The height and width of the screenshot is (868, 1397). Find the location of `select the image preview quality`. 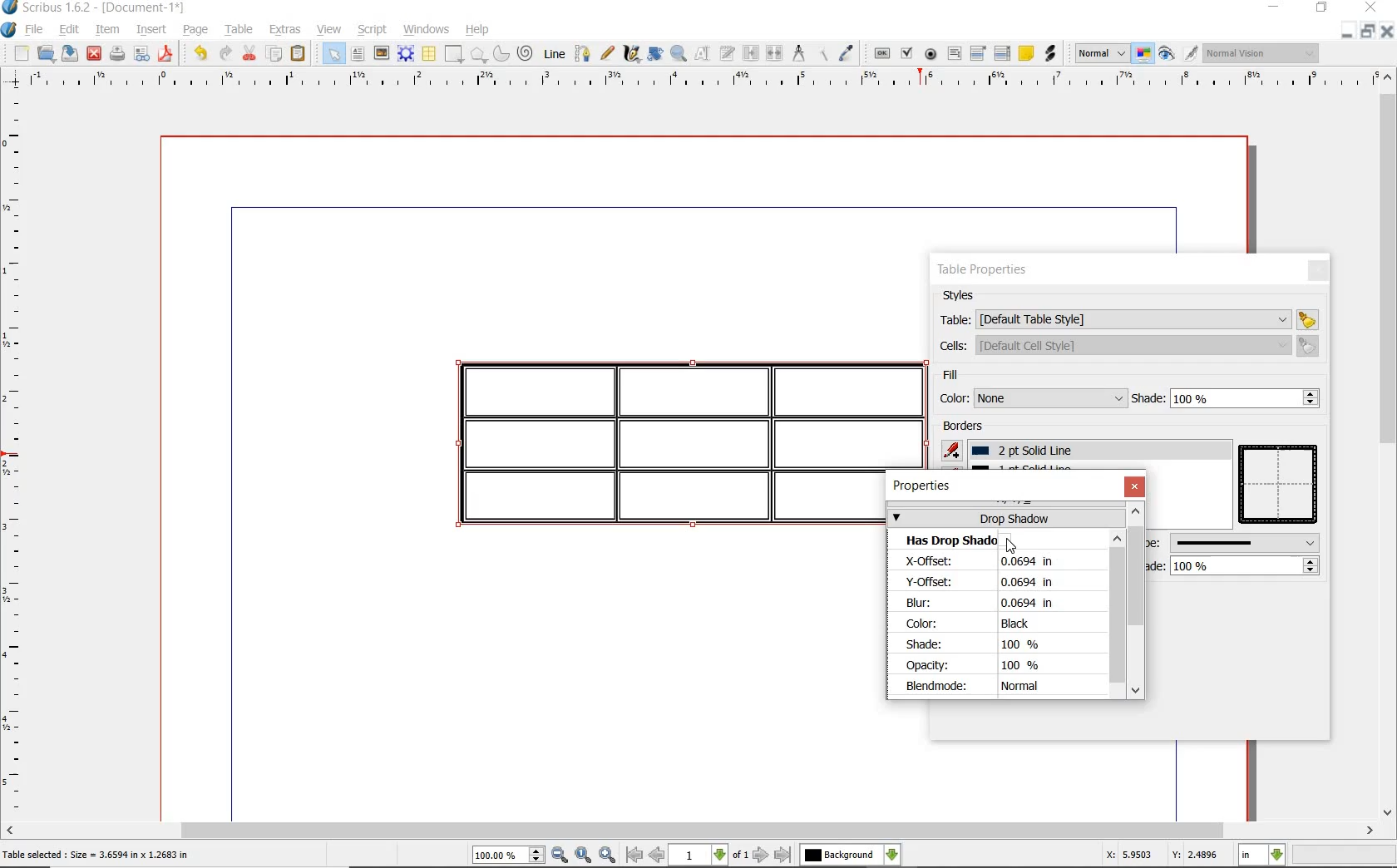

select the image preview quality is located at coordinates (1097, 53).